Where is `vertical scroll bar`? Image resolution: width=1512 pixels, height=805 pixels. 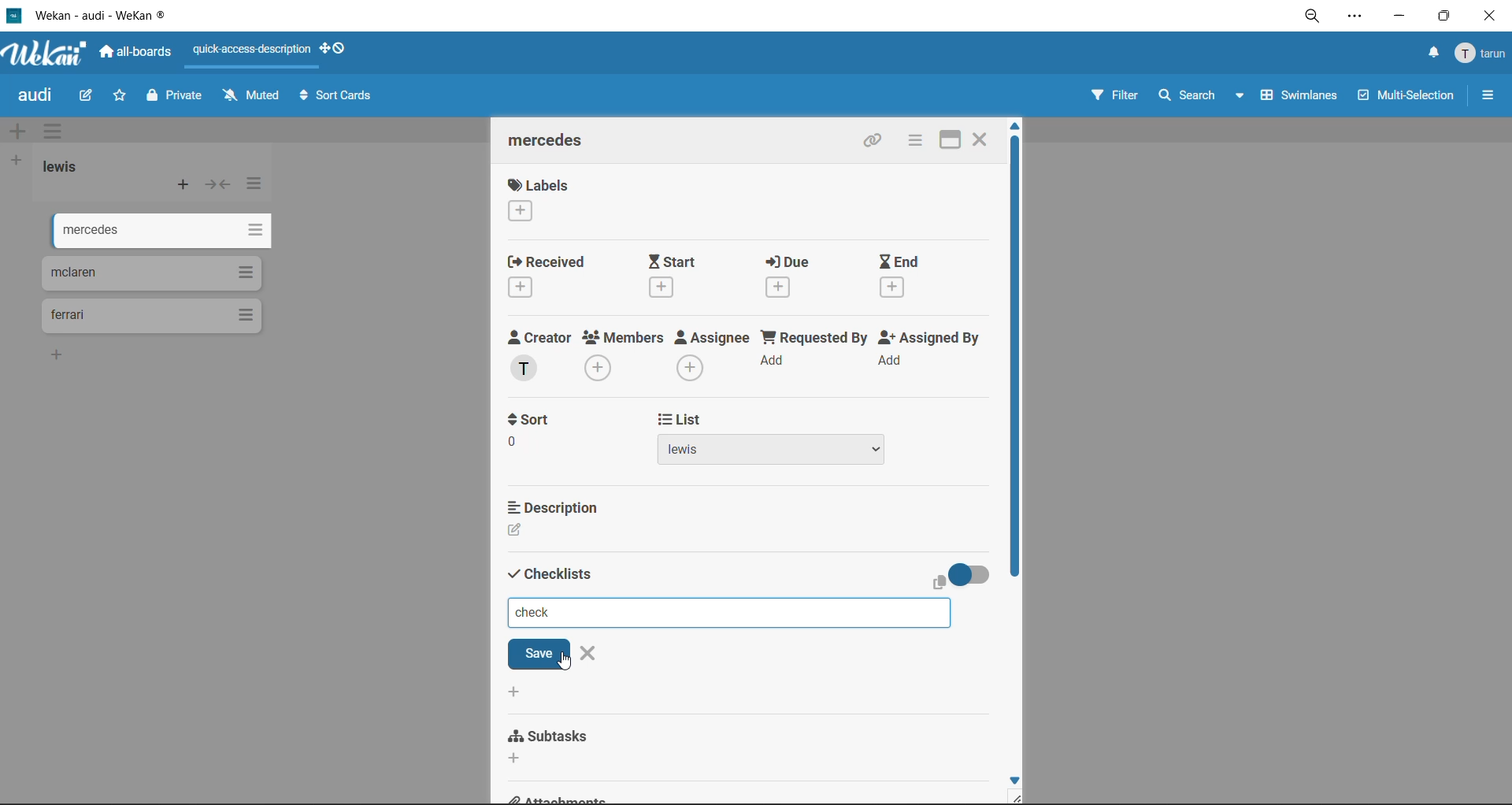
vertical scroll bar is located at coordinates (1014, 359).